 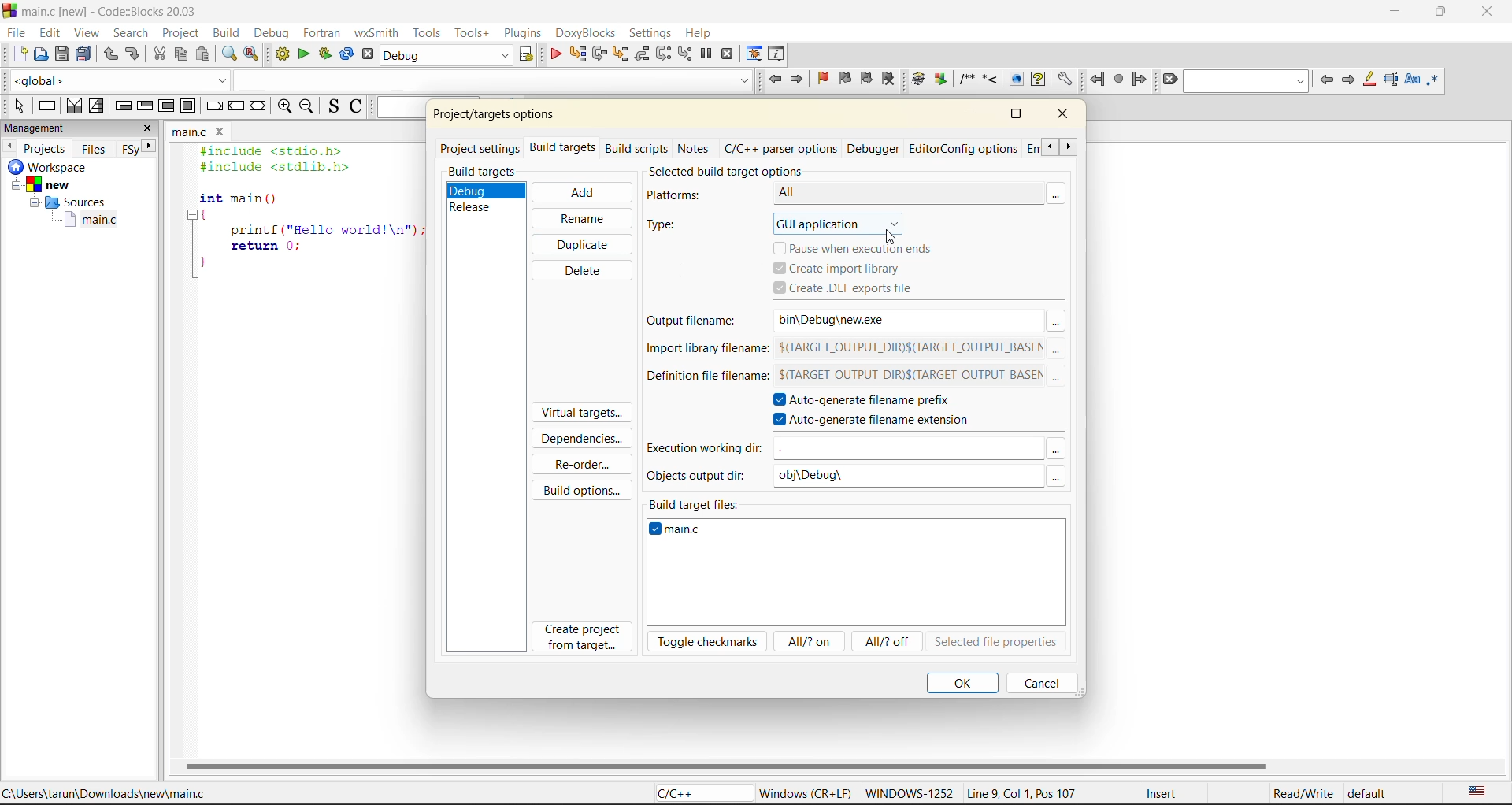 What do you see at coordinates (160, 54) in the screenshot?
I see `cut` at bounding box center [160, 54].